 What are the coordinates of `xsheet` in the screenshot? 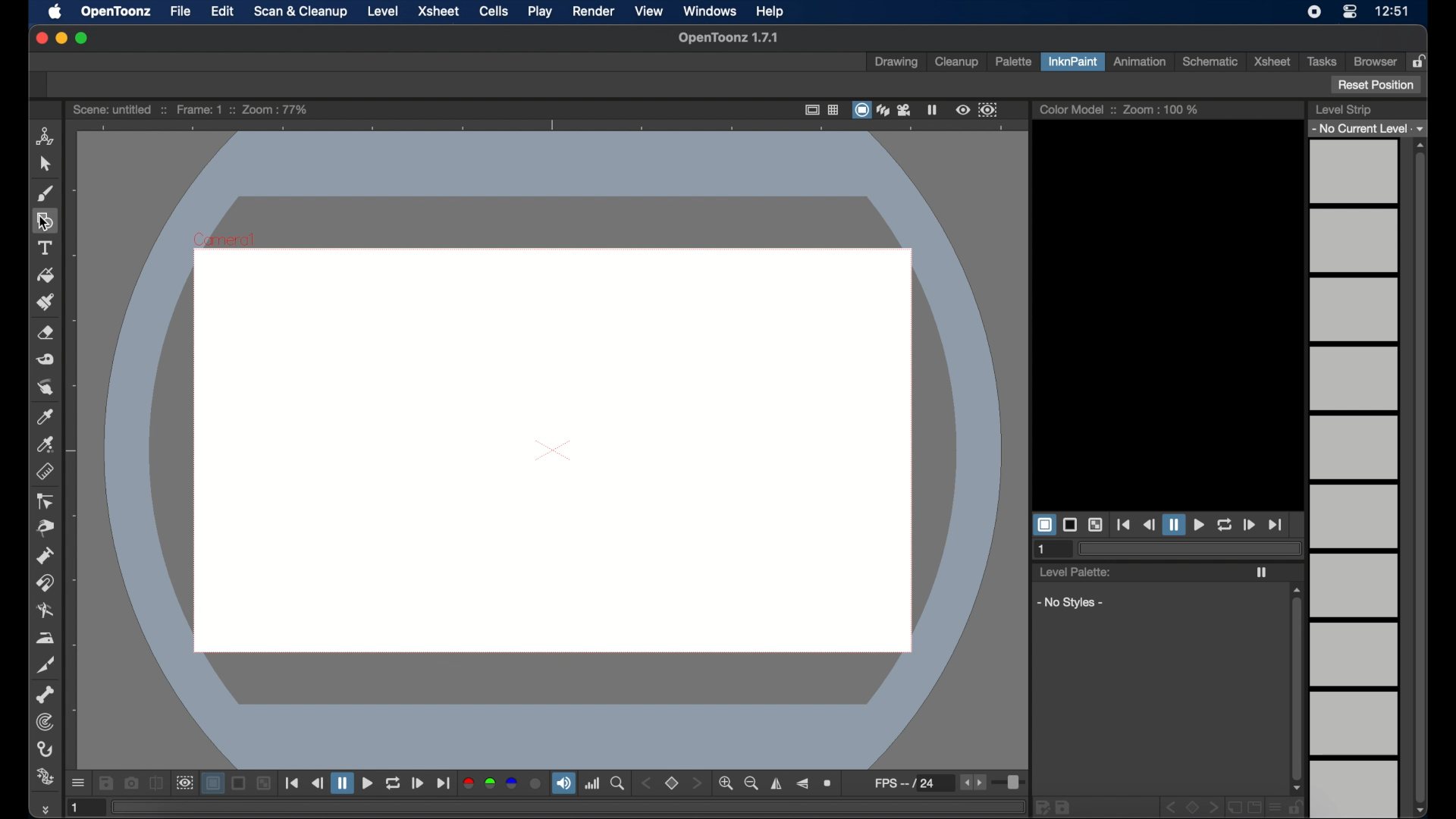 It's located at (1271, 61).